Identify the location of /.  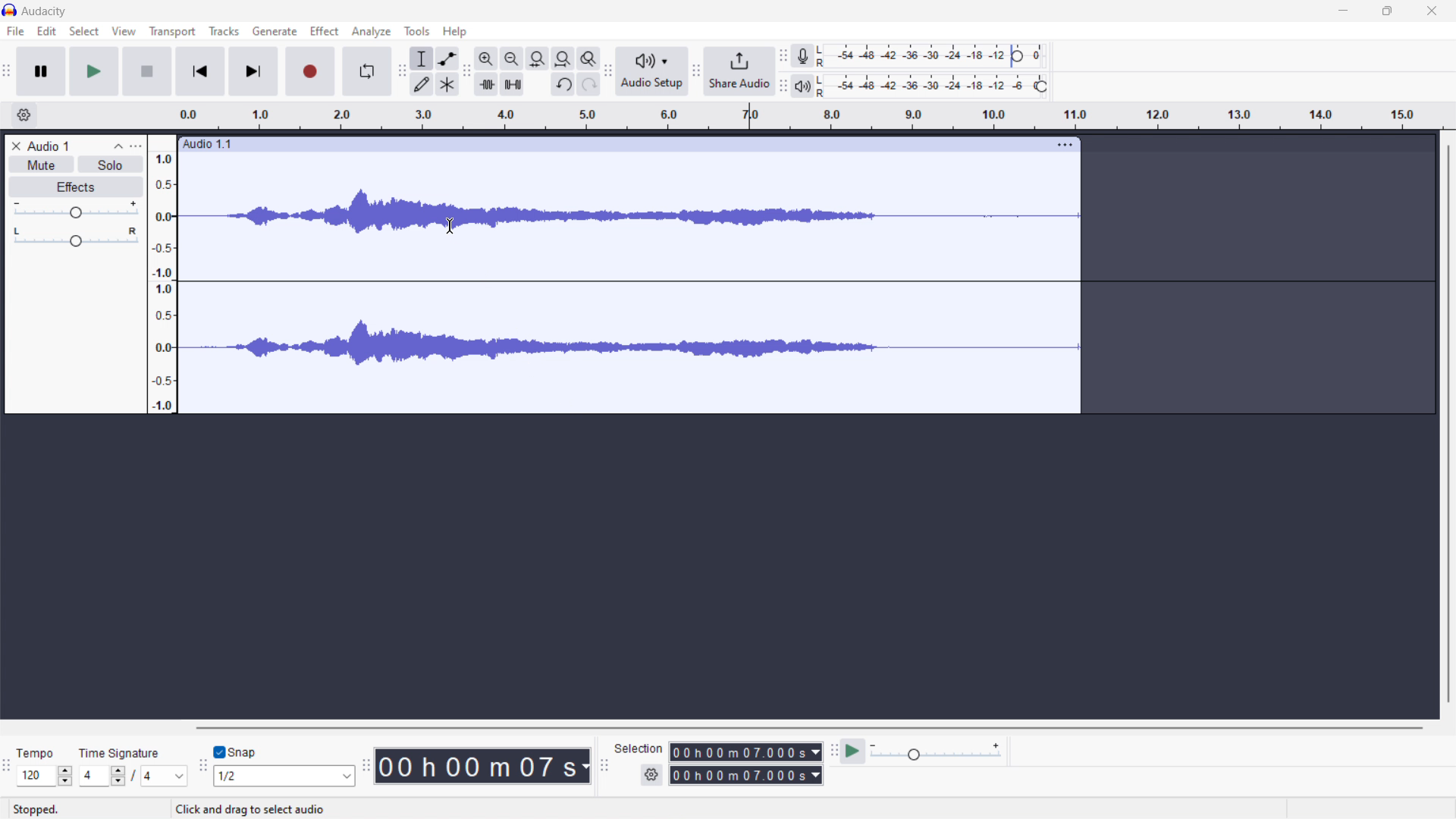
(134, 775).